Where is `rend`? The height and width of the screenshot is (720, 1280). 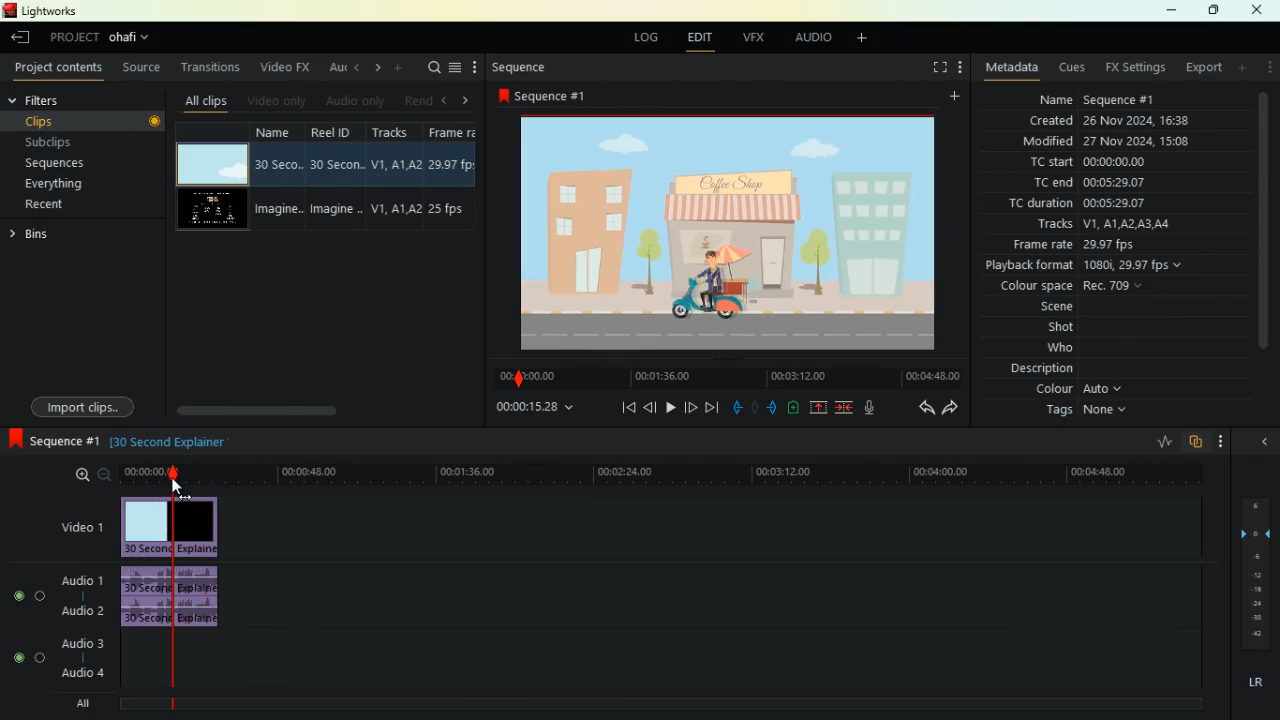
rend is located at coordinates (418, 102).